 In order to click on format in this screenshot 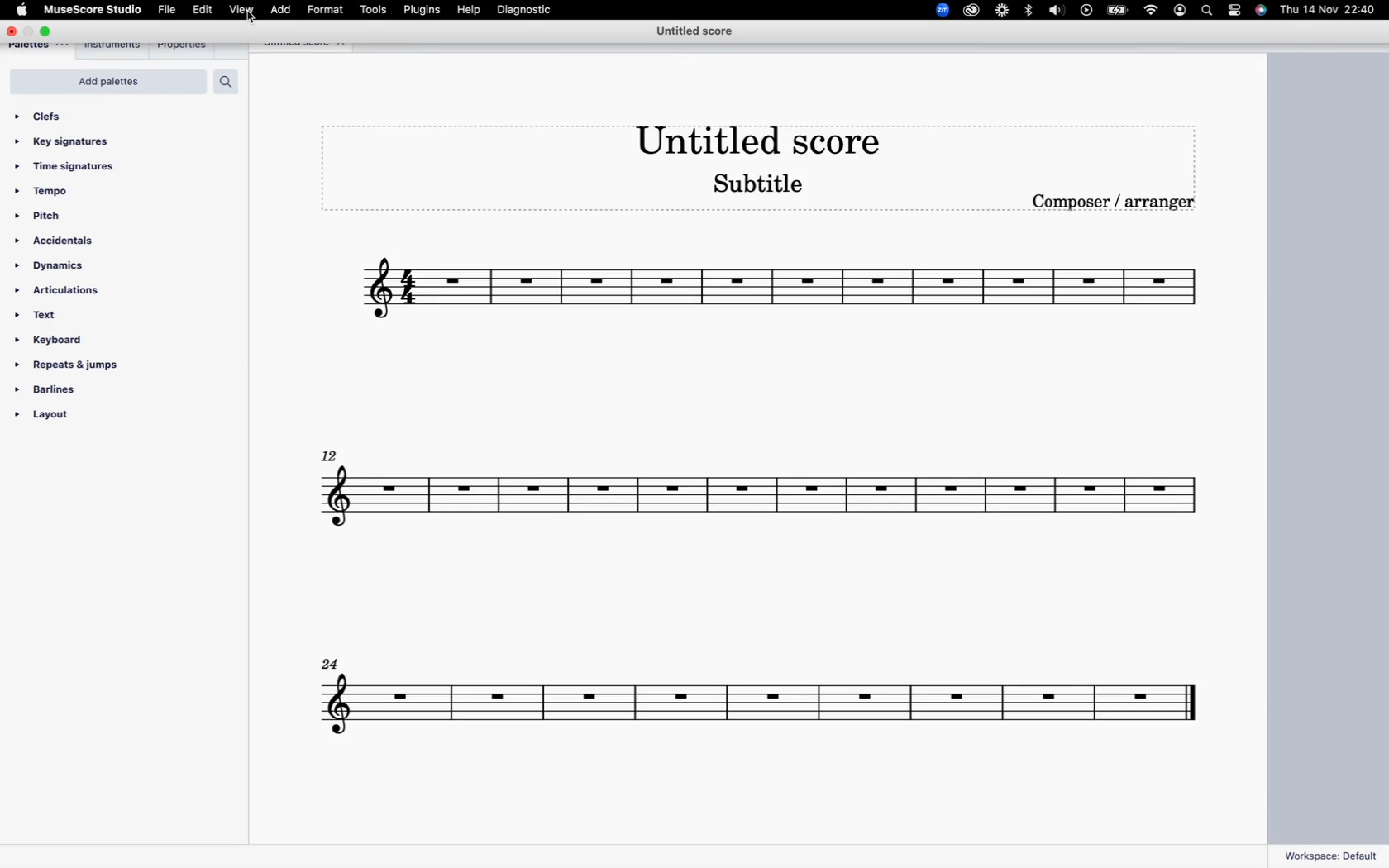, I will do `click(325, 10)`.